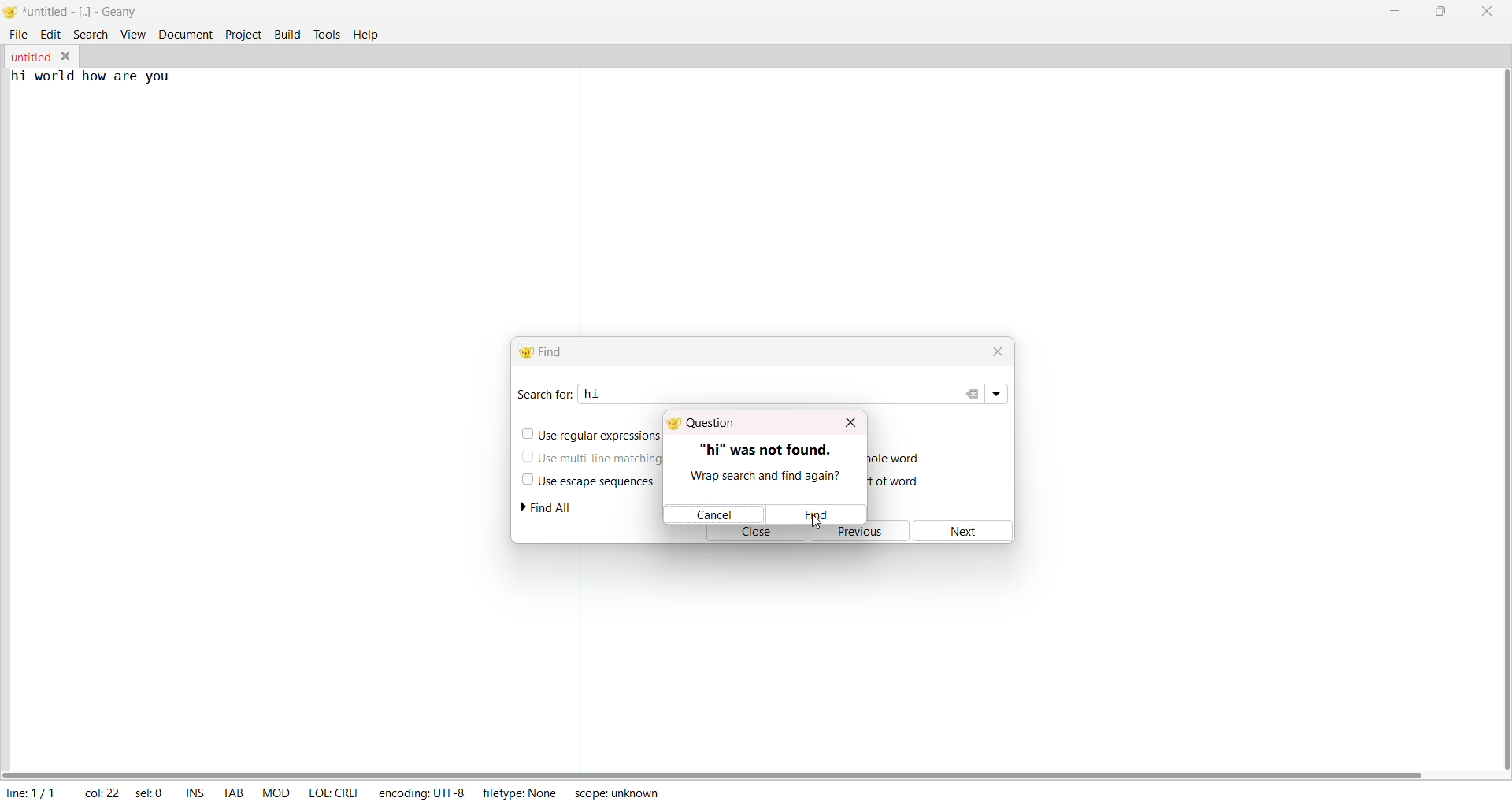 This screenshot has height=802, width=1512. Describe the element at coordinates (973, 394) in the screenshot. I see `clear search` at that location.